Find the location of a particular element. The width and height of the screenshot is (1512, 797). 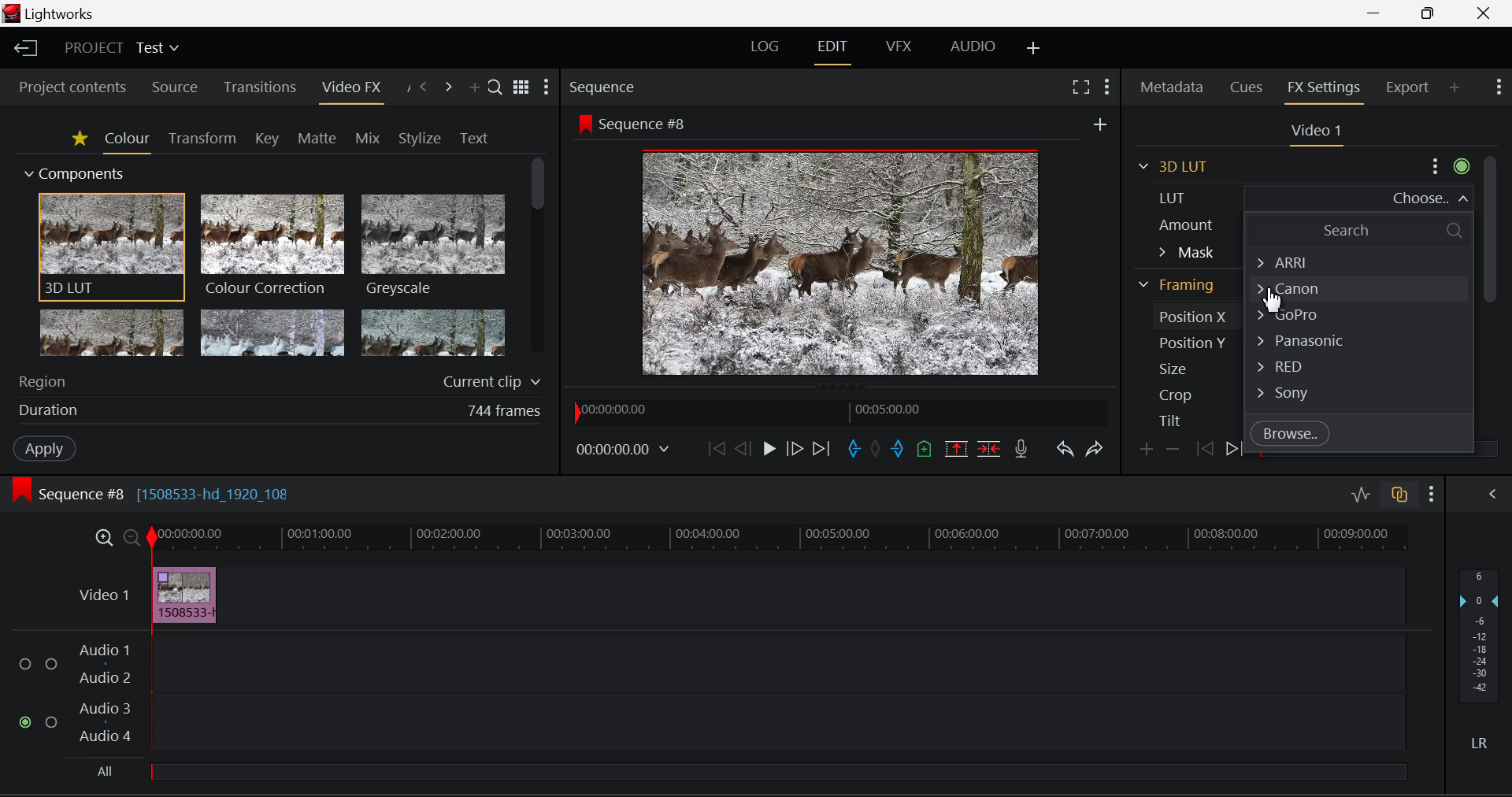

Audio 3 is located at coordinates (107, 708).